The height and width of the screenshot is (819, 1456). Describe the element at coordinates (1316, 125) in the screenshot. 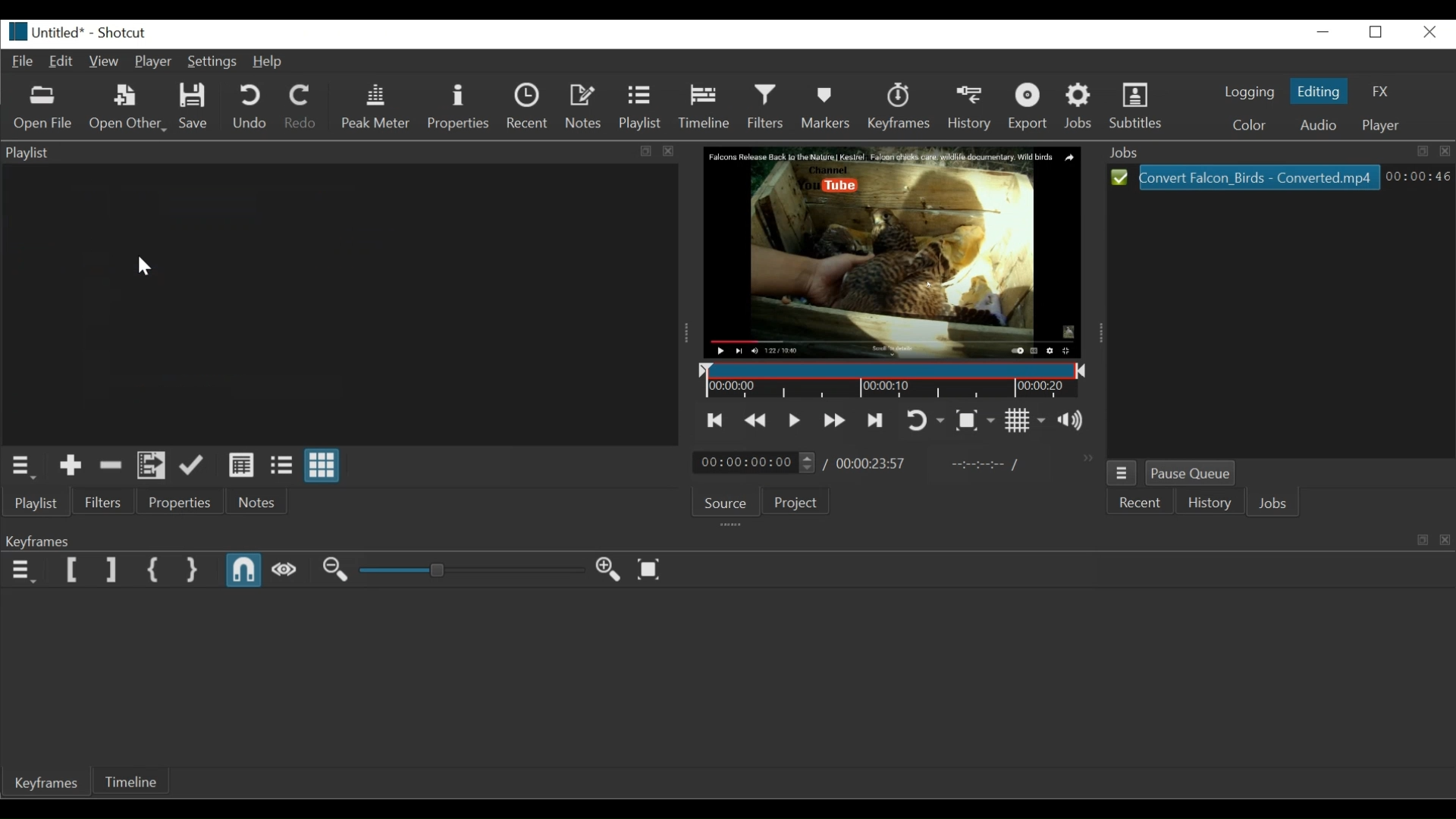

I see `Audio` at that location.